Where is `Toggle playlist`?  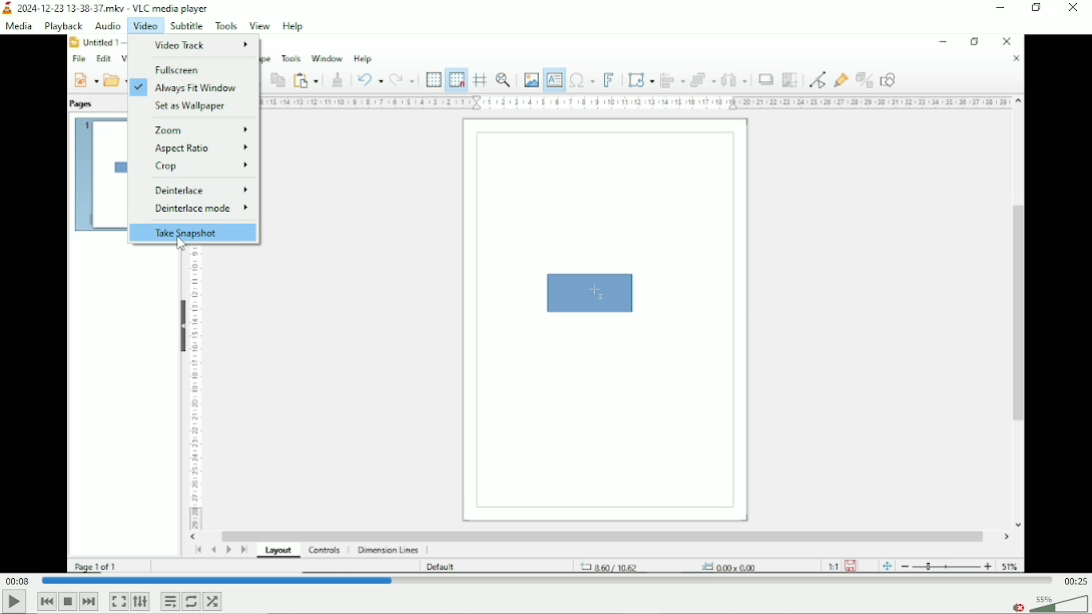
Toggle playlist is located at coordinates (169, 601).